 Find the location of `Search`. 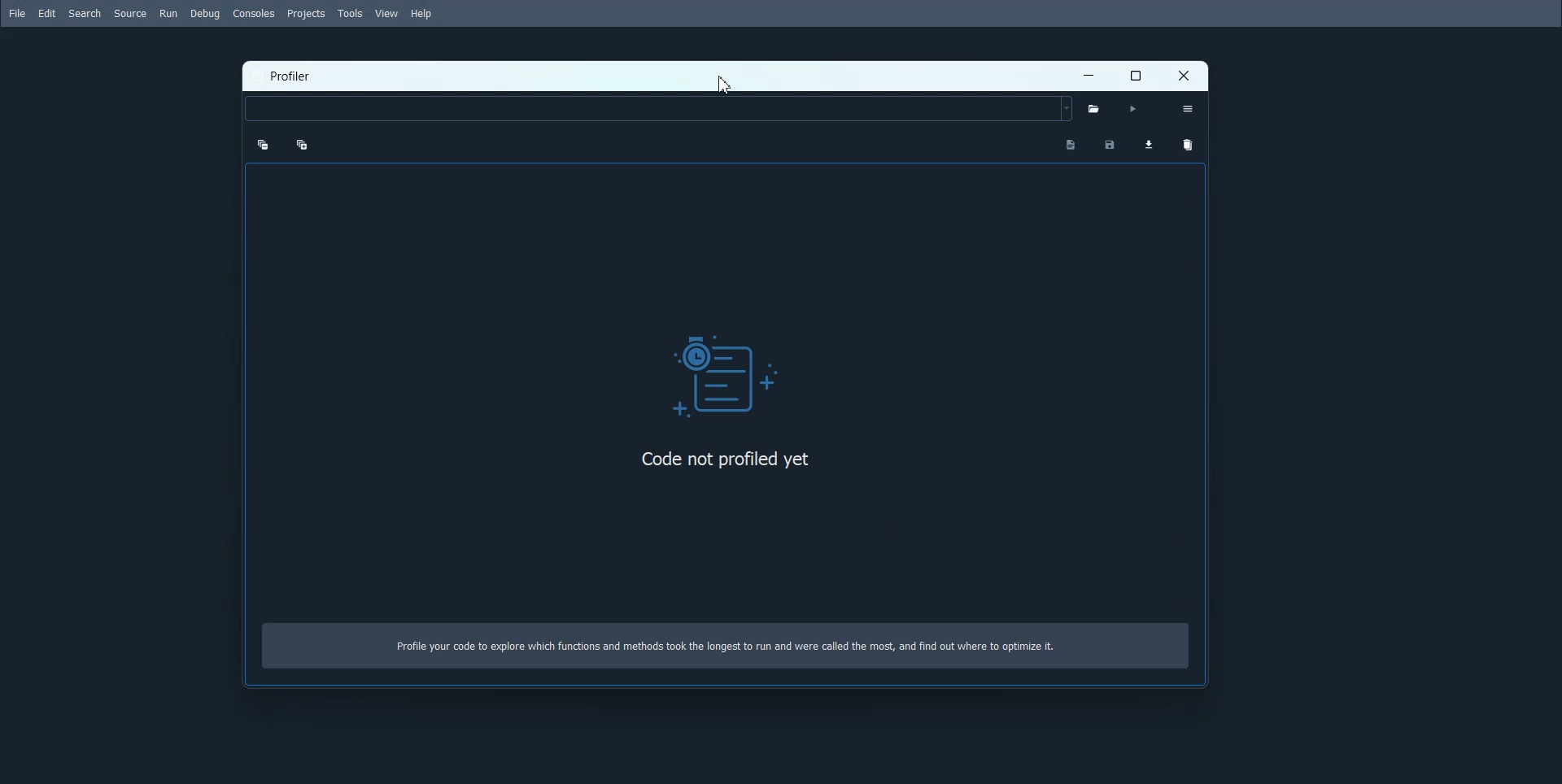

Search is located at coordinates (85, 13).